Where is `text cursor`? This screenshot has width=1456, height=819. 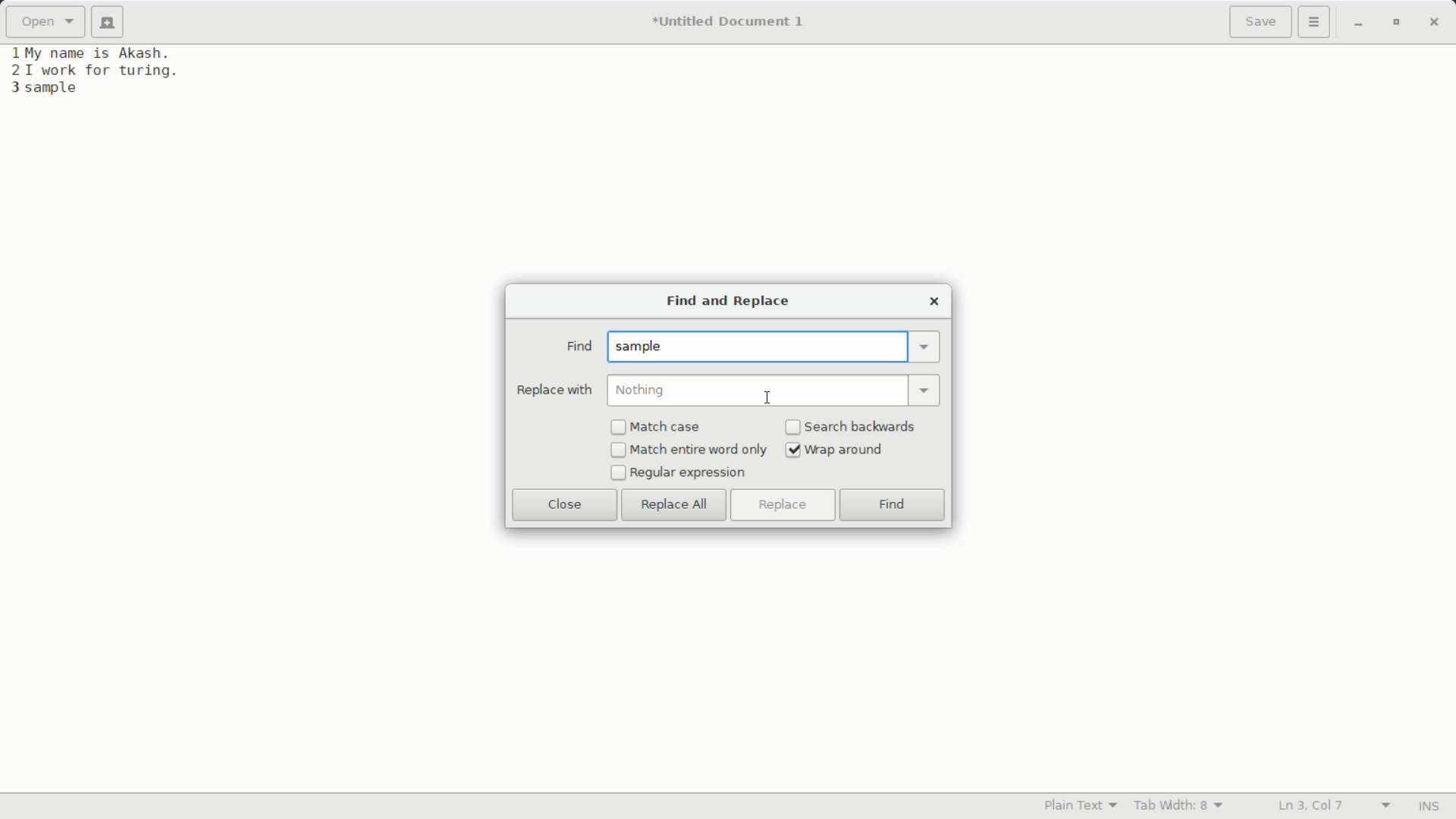 text cursor is located at coordinates (767, 396).